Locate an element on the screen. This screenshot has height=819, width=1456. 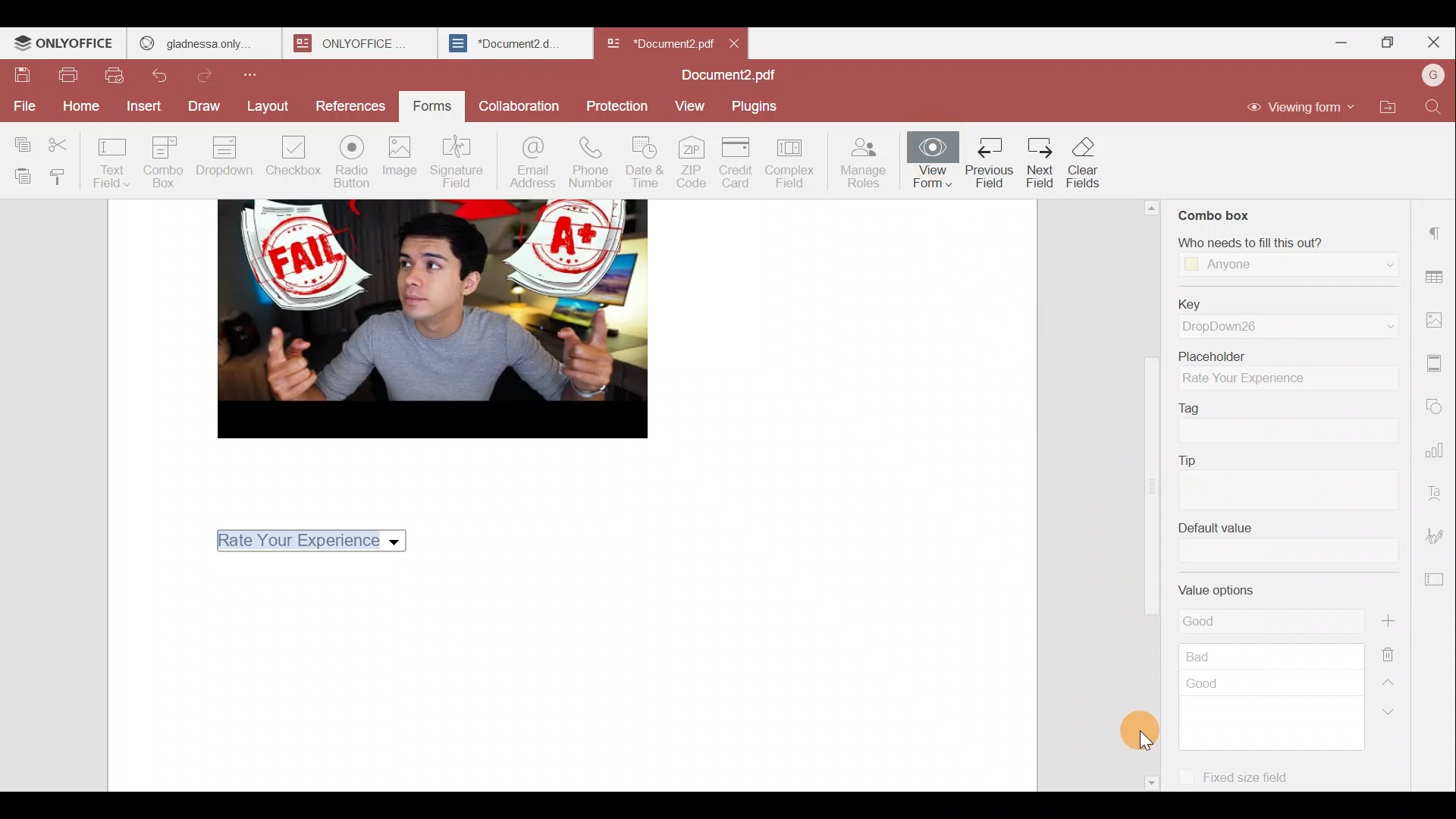
Tag is located at coordinates (1291, 422).